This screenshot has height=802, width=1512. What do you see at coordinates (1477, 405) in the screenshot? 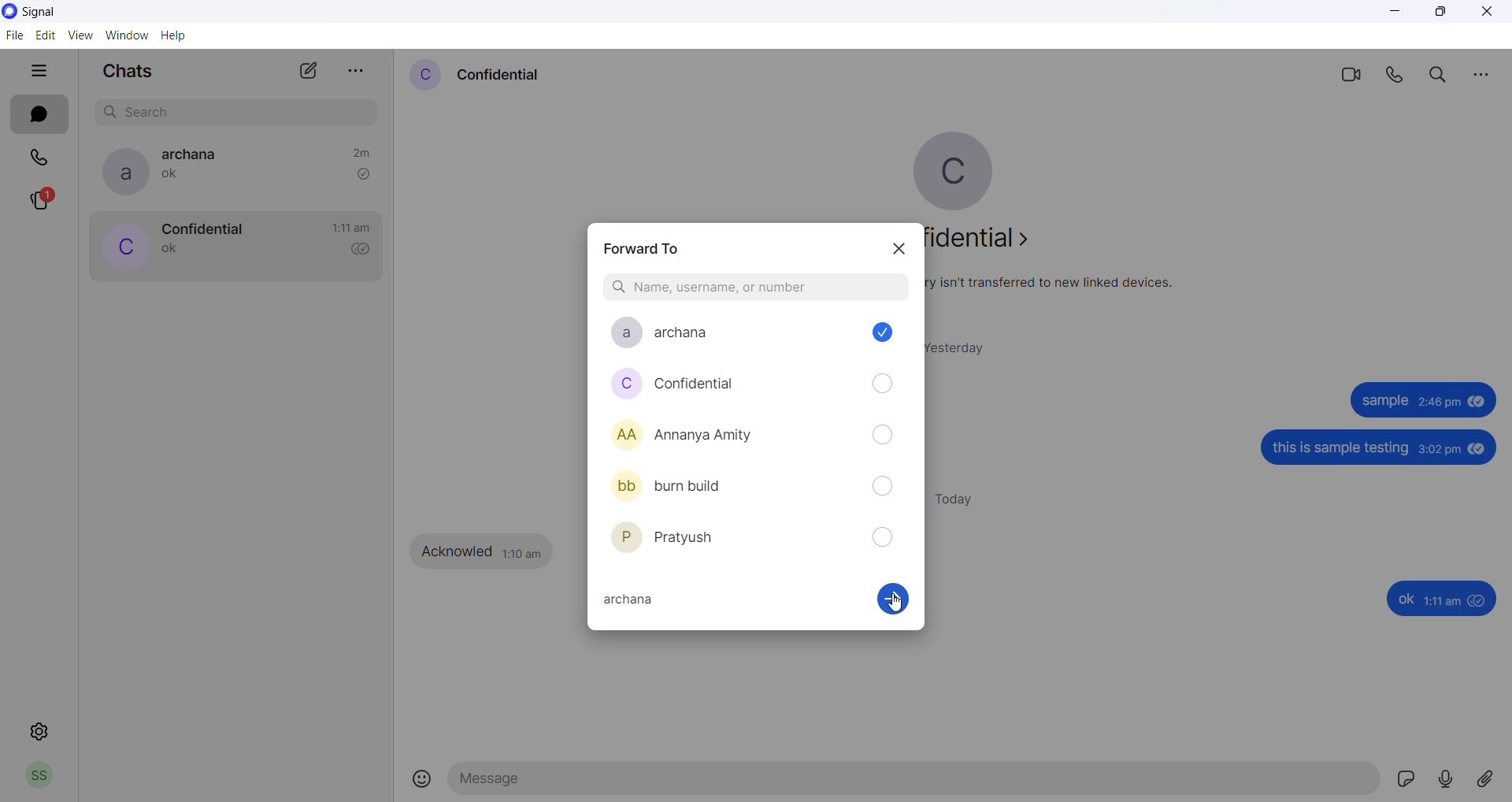
I see `seen` at bounding box center [1477, 405].